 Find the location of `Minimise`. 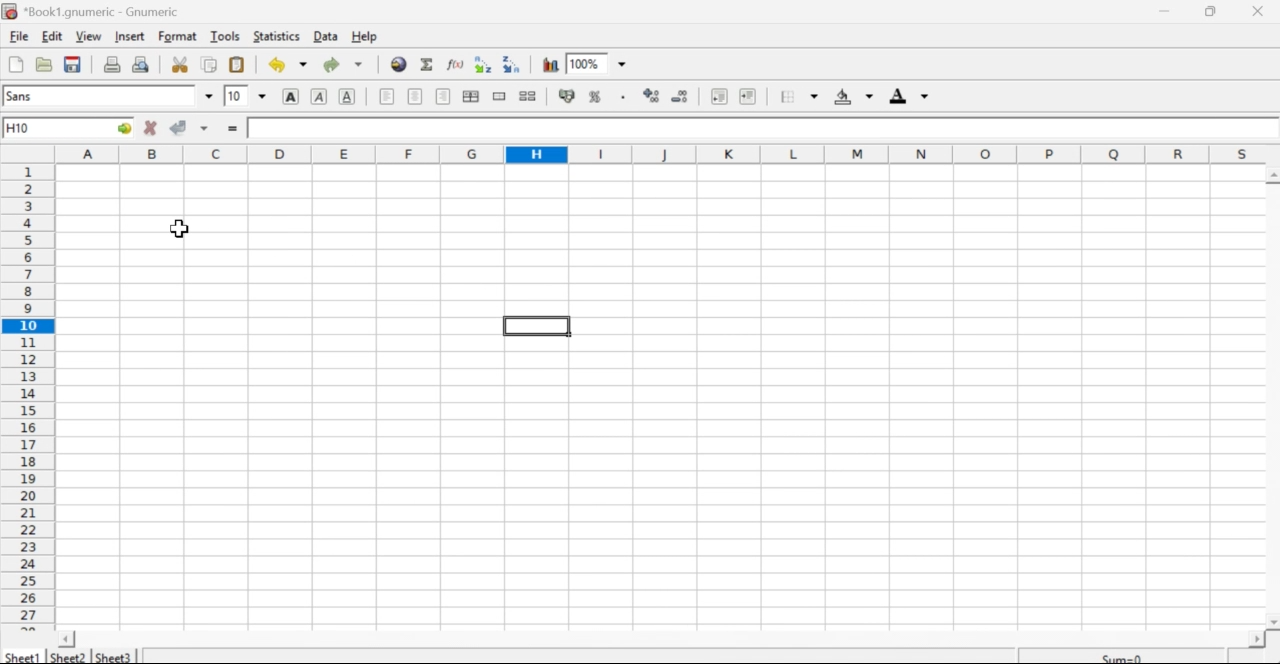

Minimise is located at coordinates (1215, 11).